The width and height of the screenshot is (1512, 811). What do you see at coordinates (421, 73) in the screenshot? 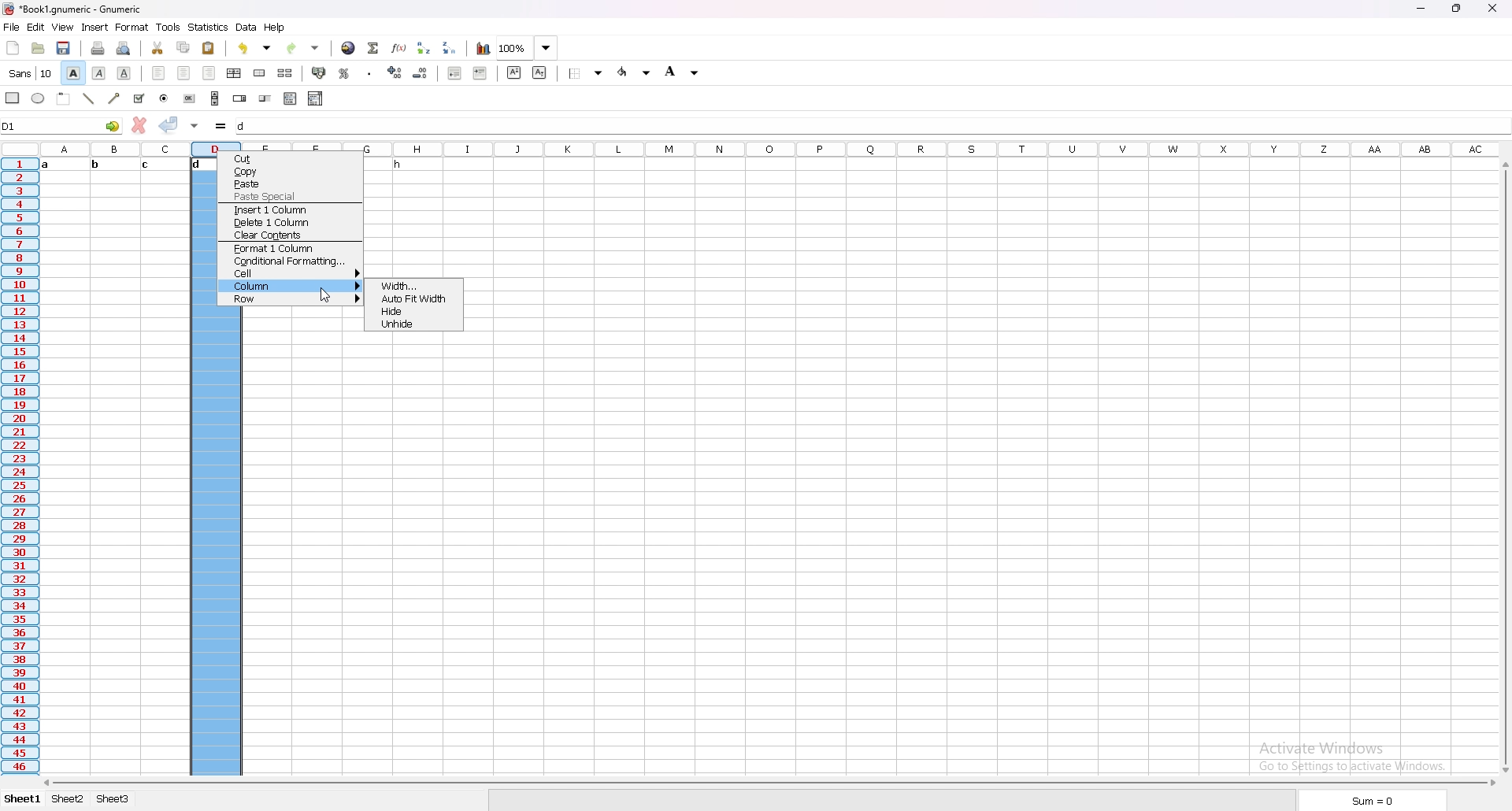
I see `decrease decimal` at bounding box center [421, 73].